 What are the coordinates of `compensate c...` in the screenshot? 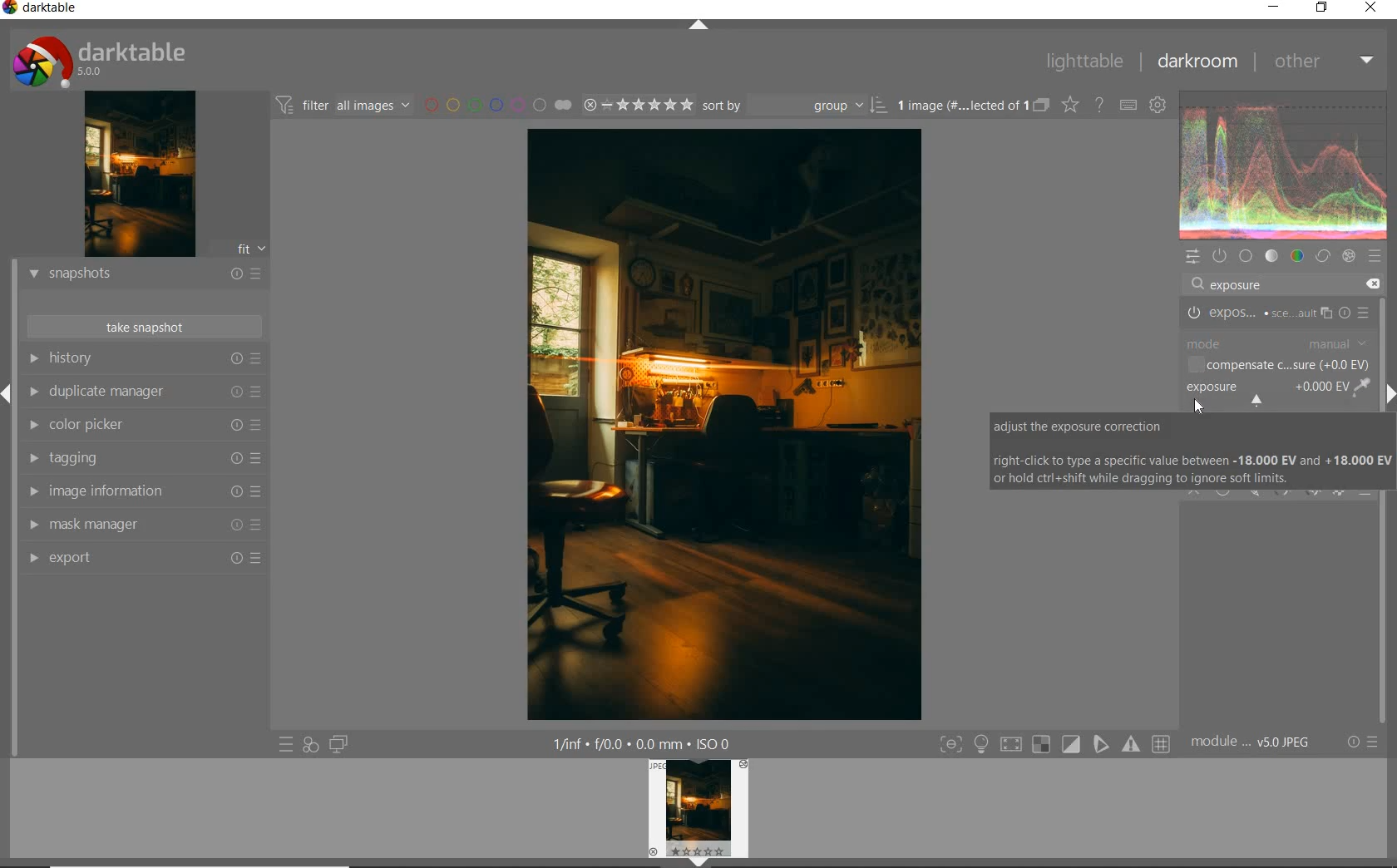 It's located at (1281, 365).